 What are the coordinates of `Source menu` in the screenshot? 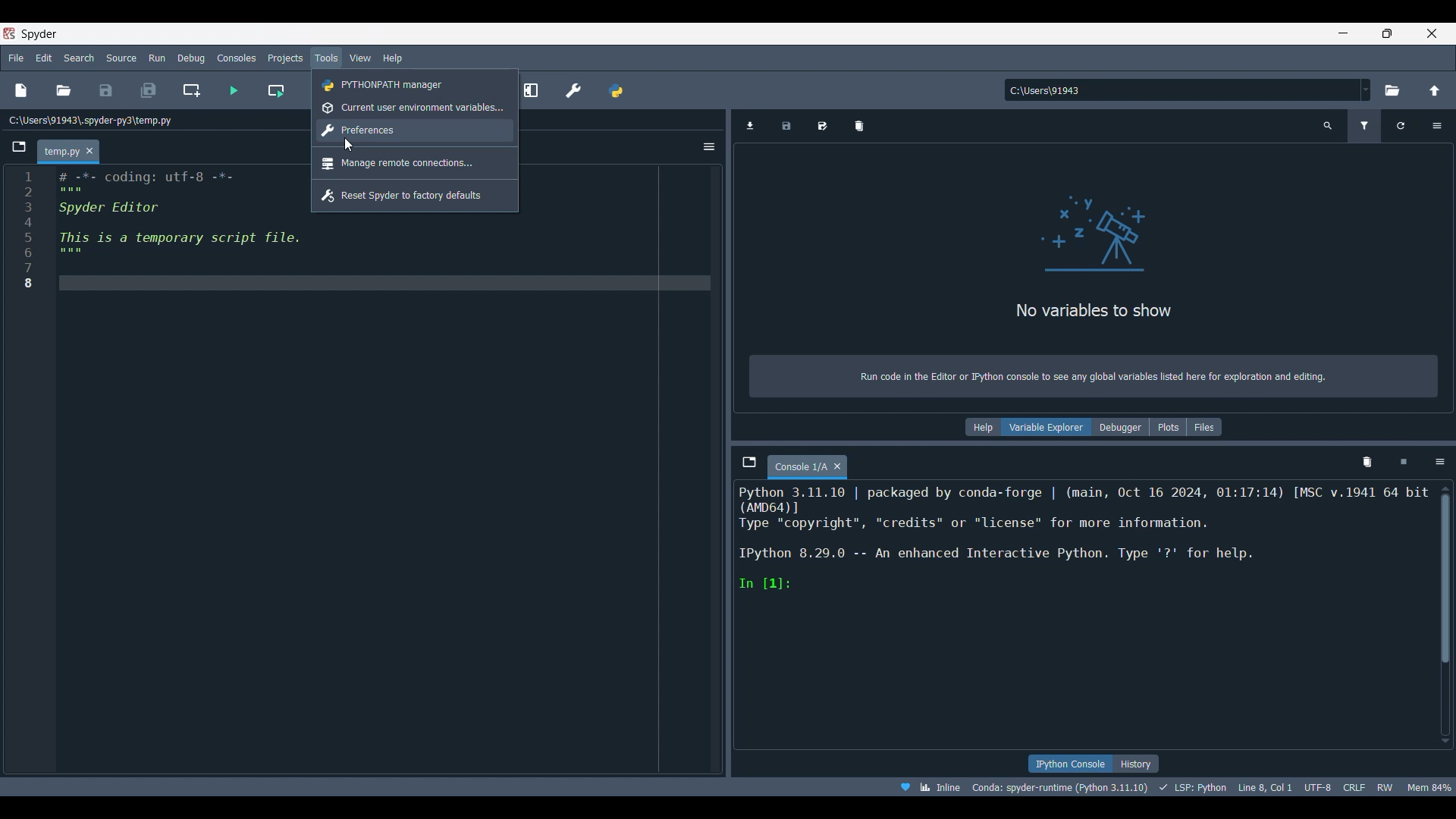 It's located at (121, 58).